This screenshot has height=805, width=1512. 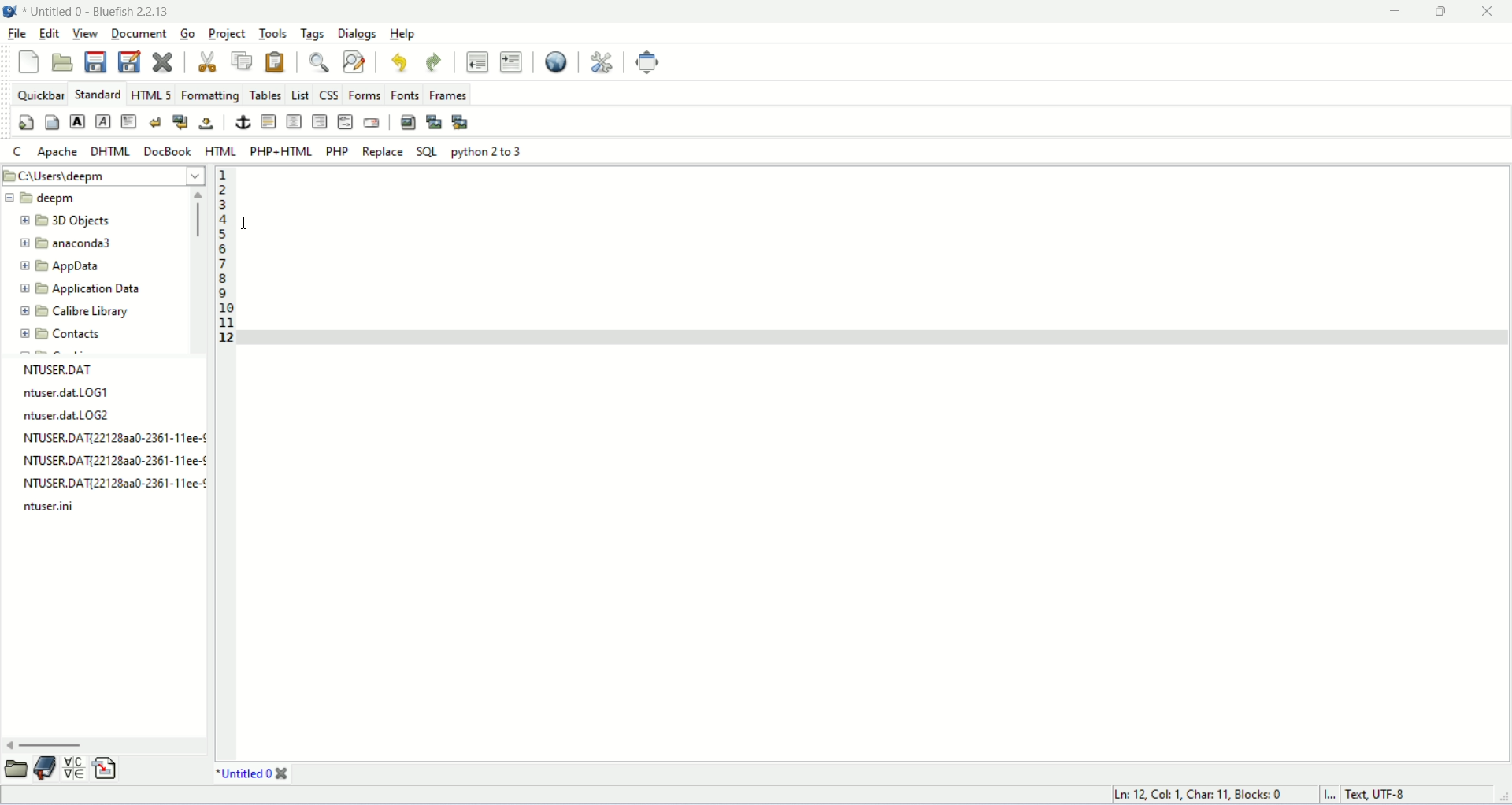 What do you see at coordinates (200, 269) in the screenshot?
I see `scroll bar` at bounding box center [200, 269].